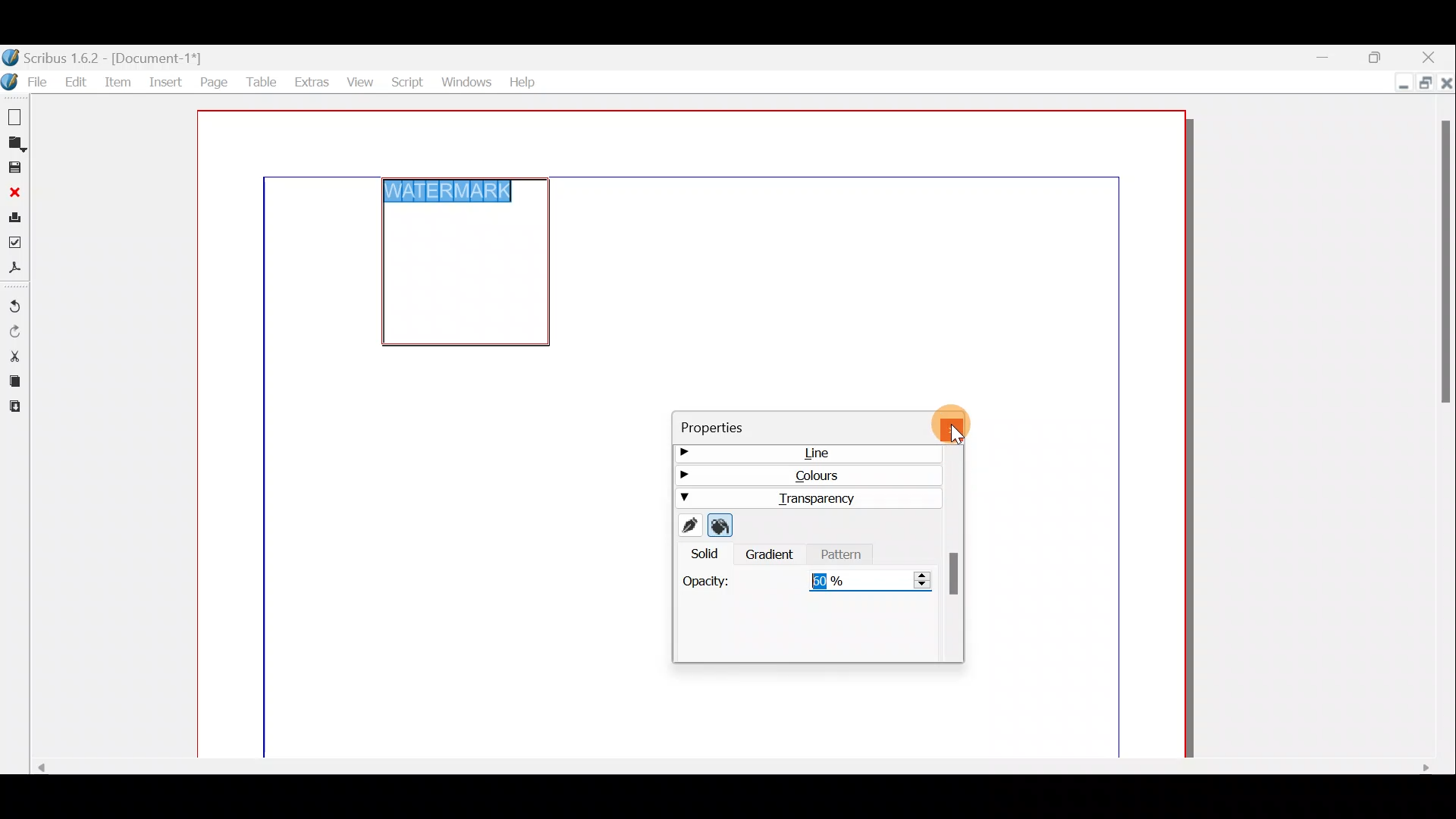 The width and height of the screenshot is (1456, 819). I want to click on New, so click(13, 115).